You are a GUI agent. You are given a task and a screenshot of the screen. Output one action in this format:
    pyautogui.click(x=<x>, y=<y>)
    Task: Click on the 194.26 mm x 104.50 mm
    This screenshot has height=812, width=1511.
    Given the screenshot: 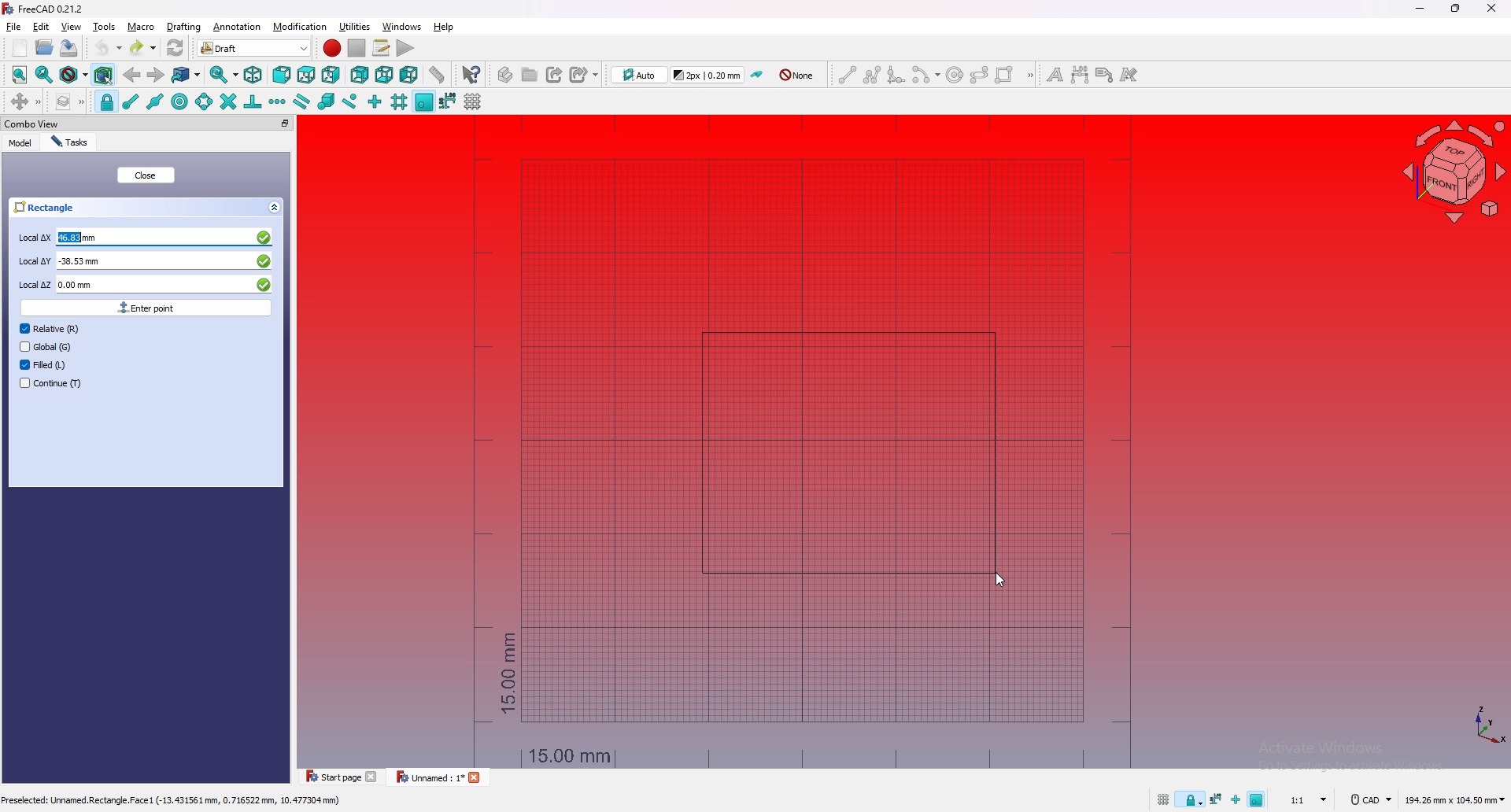 What is the action you would take?
    pyautogui.click(x=1454, y=800)
    